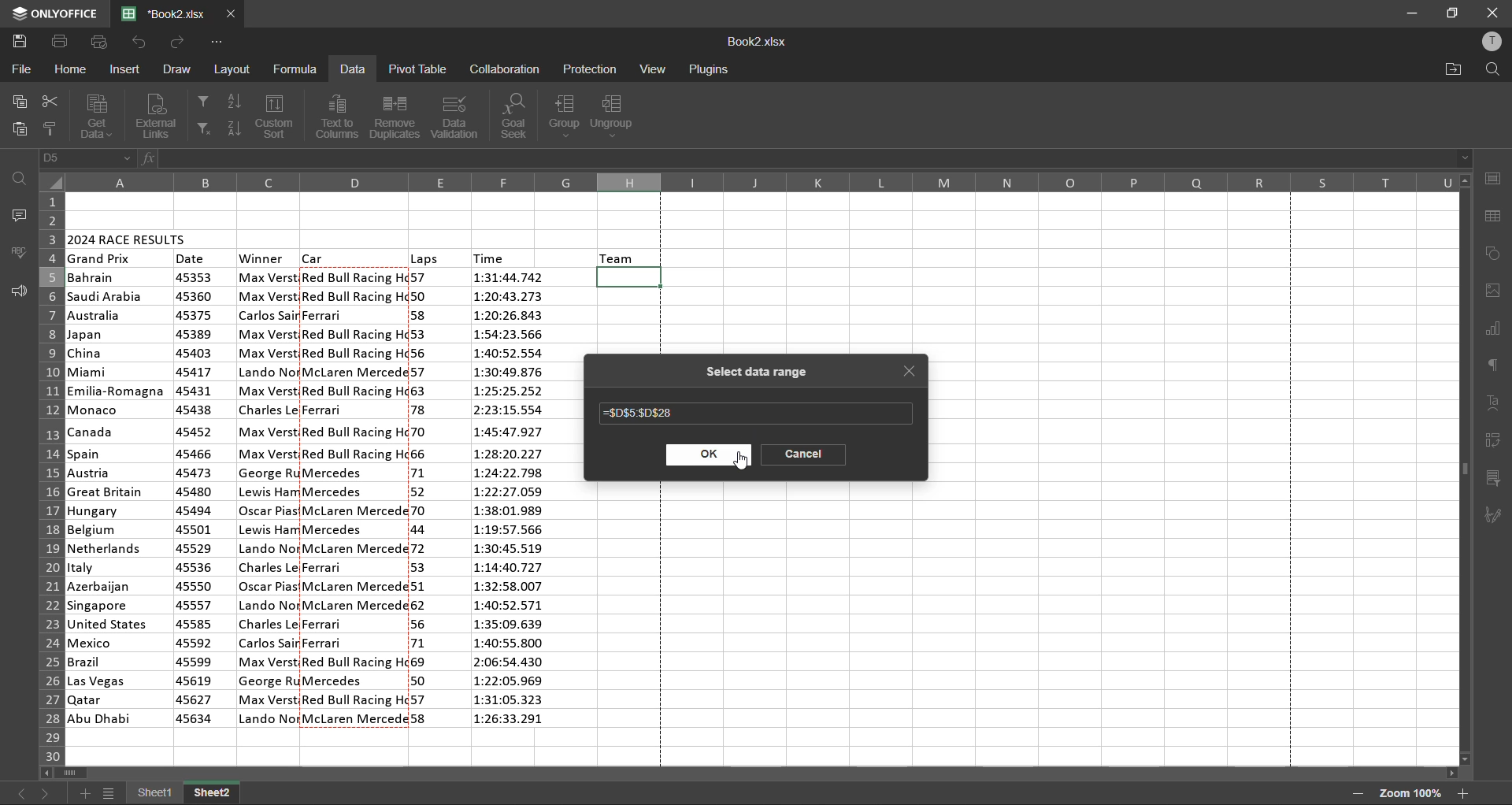 The height and width of the screenshot is (805, 1512). What do you see at coordinates (513, 501) in the screenshot?
I see `time` at bounding box center [513, 501].